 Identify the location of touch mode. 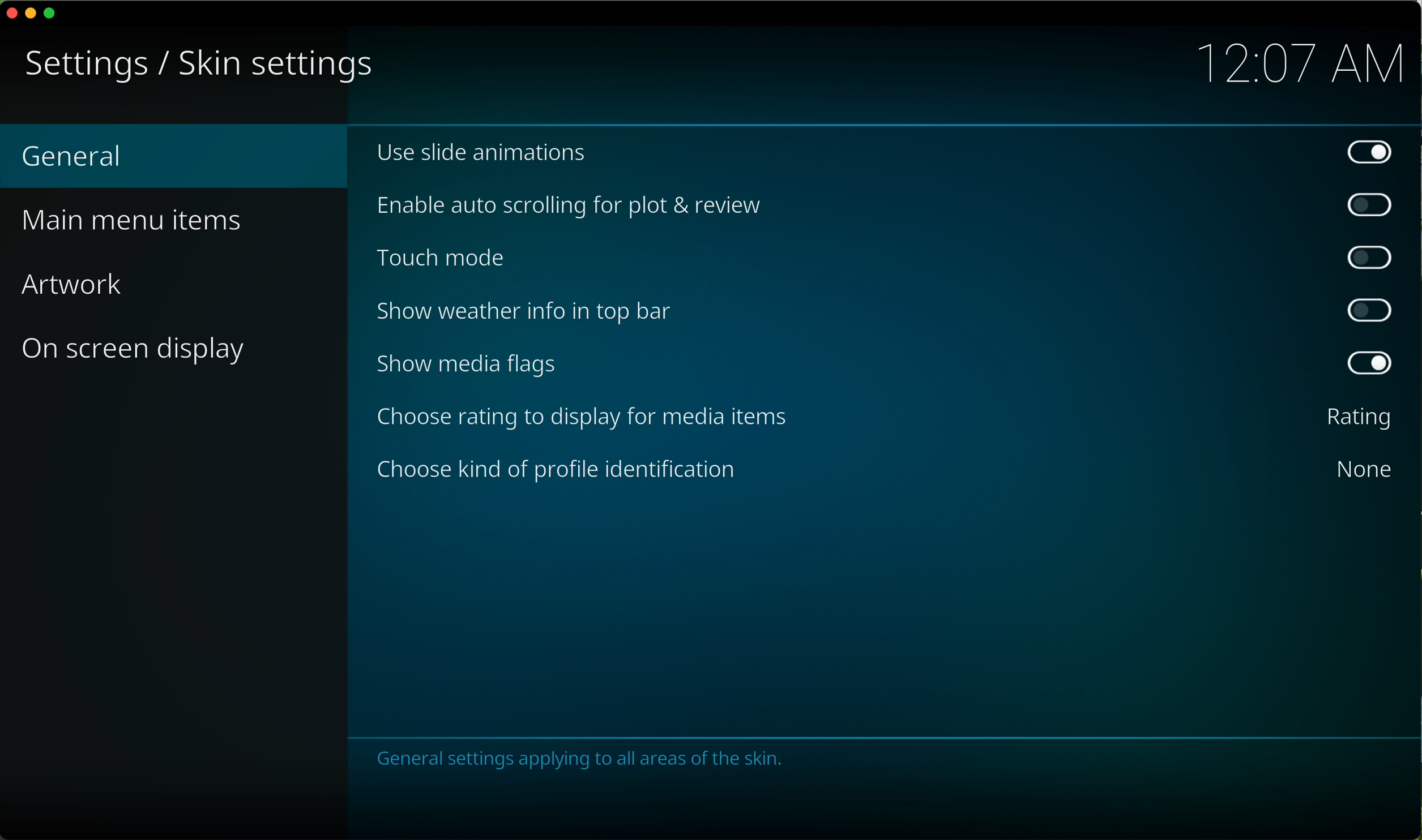
(882, 256).